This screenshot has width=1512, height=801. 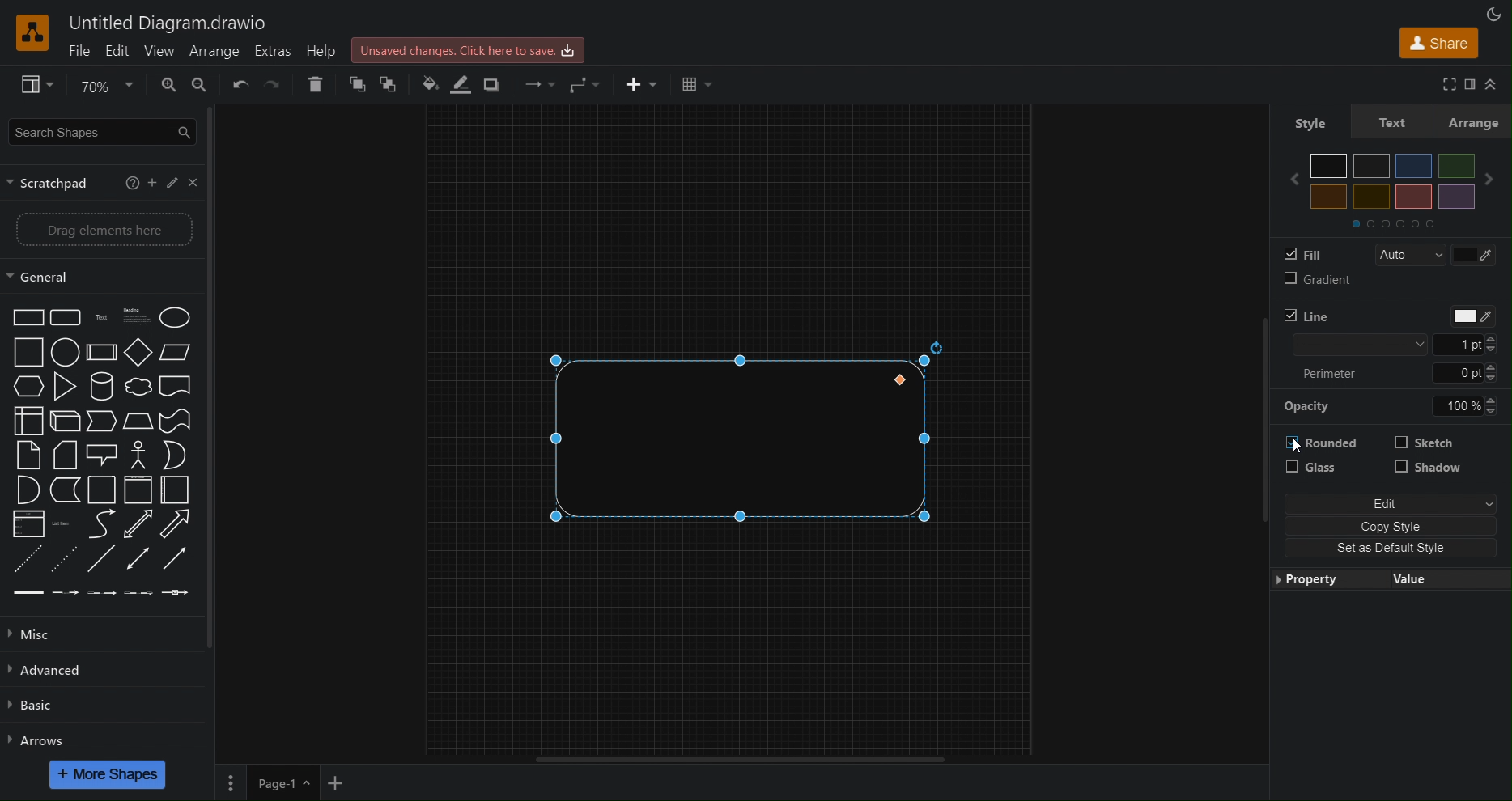 What do you see at coordinates (206, 86) in the screenshot?
I see `Zoom Out` at bounding box center [206, 86].